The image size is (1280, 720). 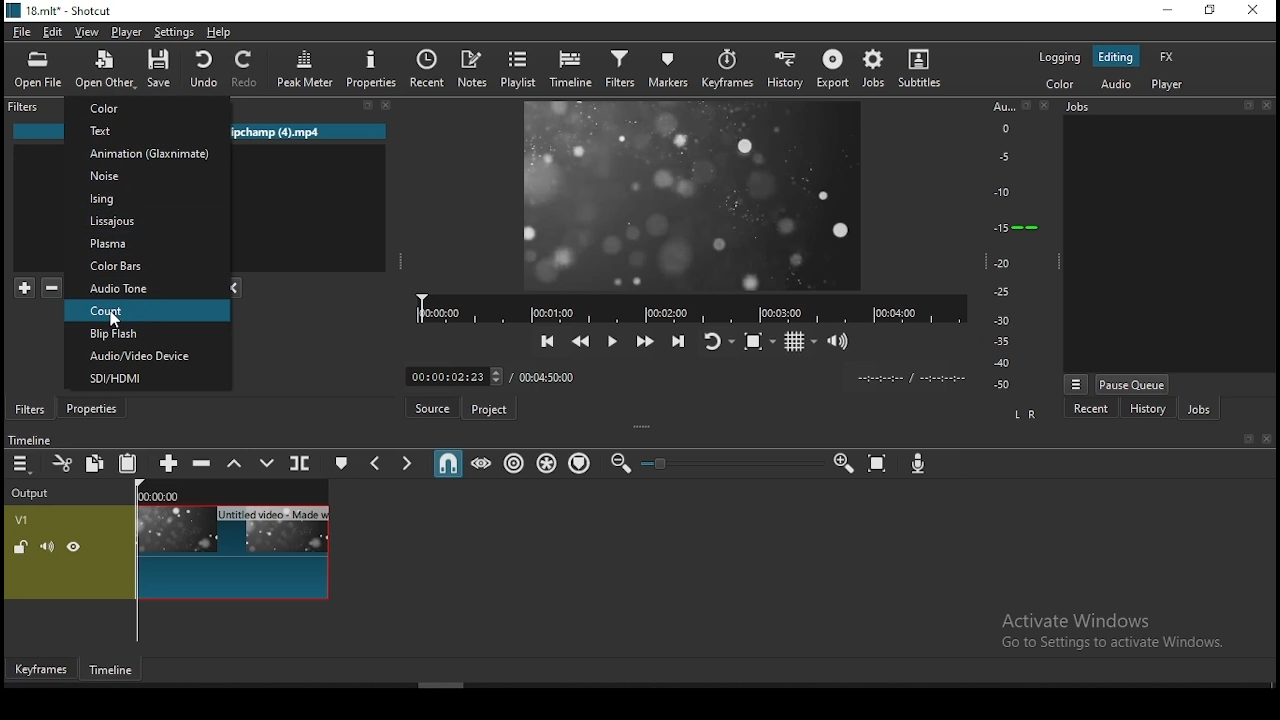 I want to click on Output, so click(x=35, y=493).